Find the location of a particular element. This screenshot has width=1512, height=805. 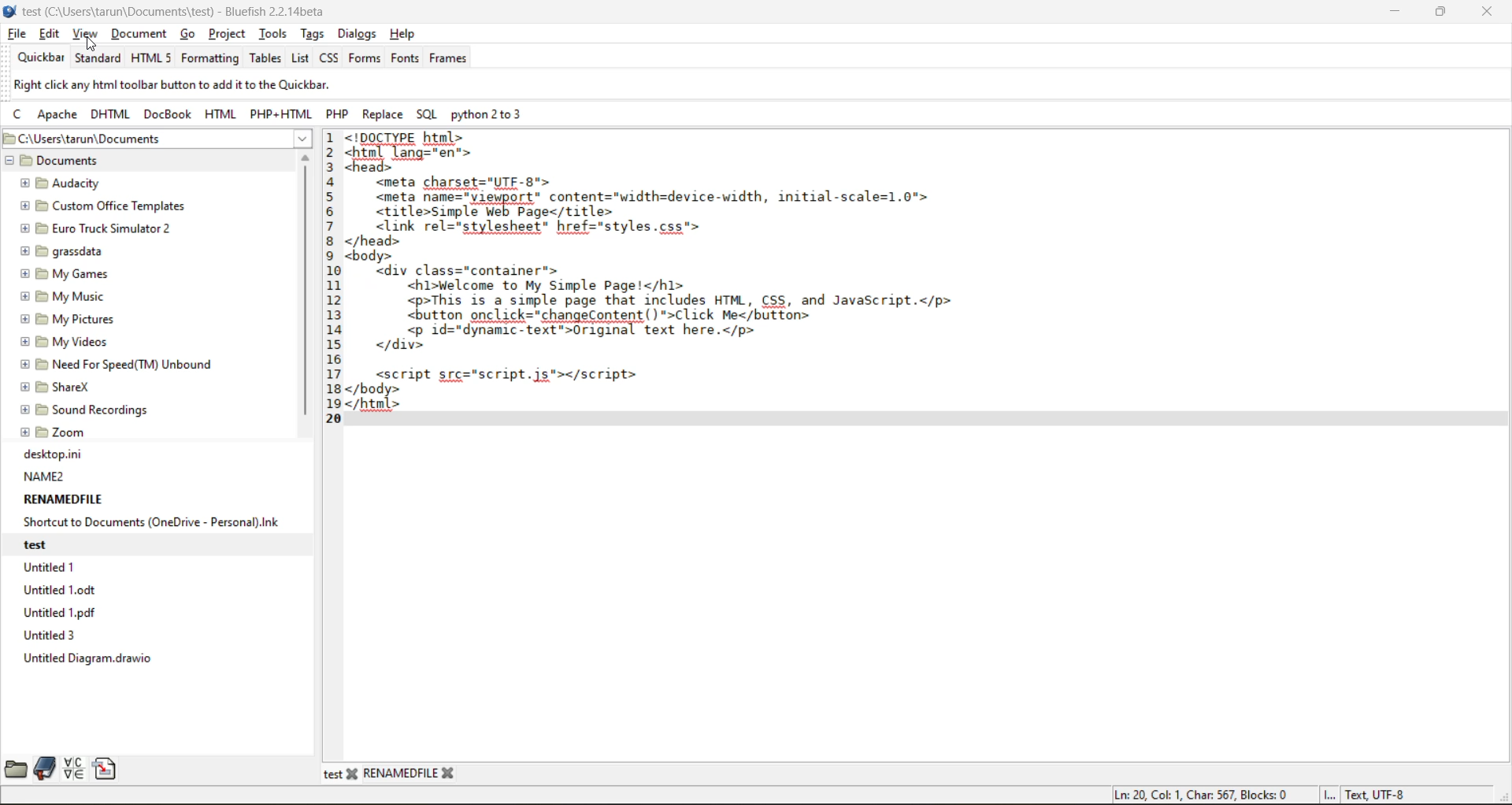

Untitled 1.pdf is located at coordinates (61, 613).